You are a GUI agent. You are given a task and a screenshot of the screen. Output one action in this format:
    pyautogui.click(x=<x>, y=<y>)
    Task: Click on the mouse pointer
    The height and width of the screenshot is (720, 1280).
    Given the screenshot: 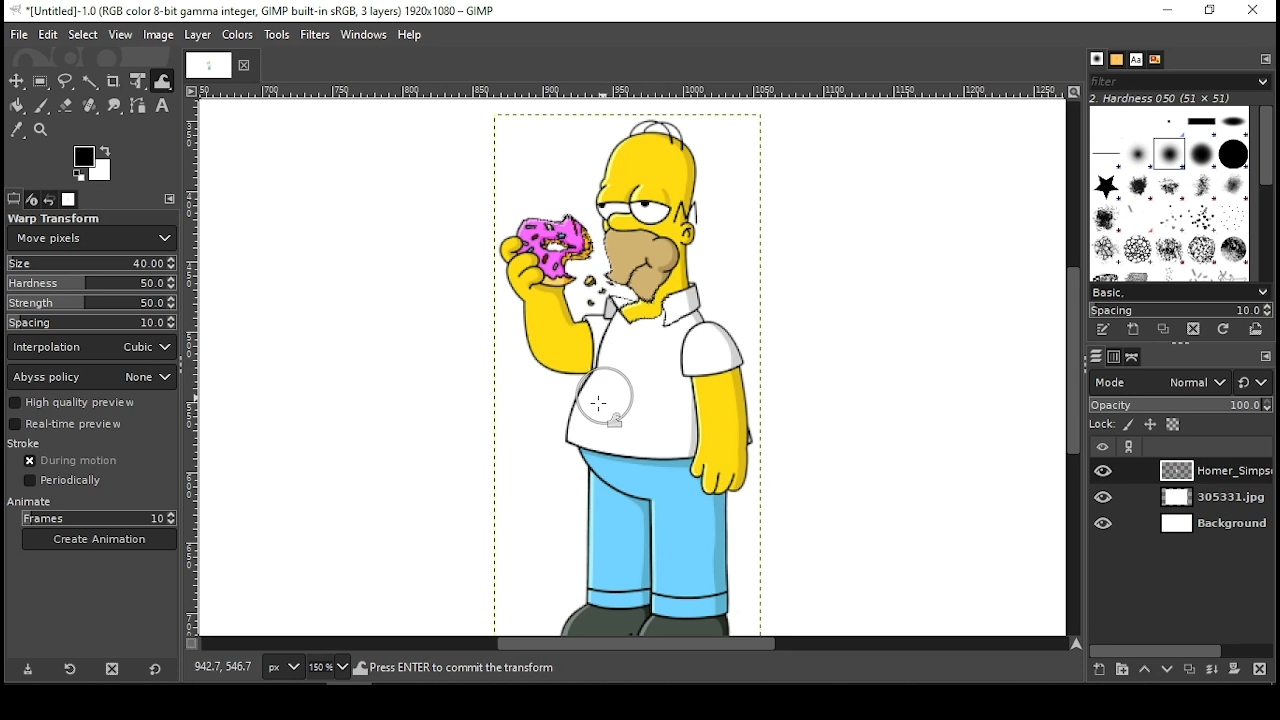 What is the action you would take?
    pyautogui.click(x=598, y=402)
    